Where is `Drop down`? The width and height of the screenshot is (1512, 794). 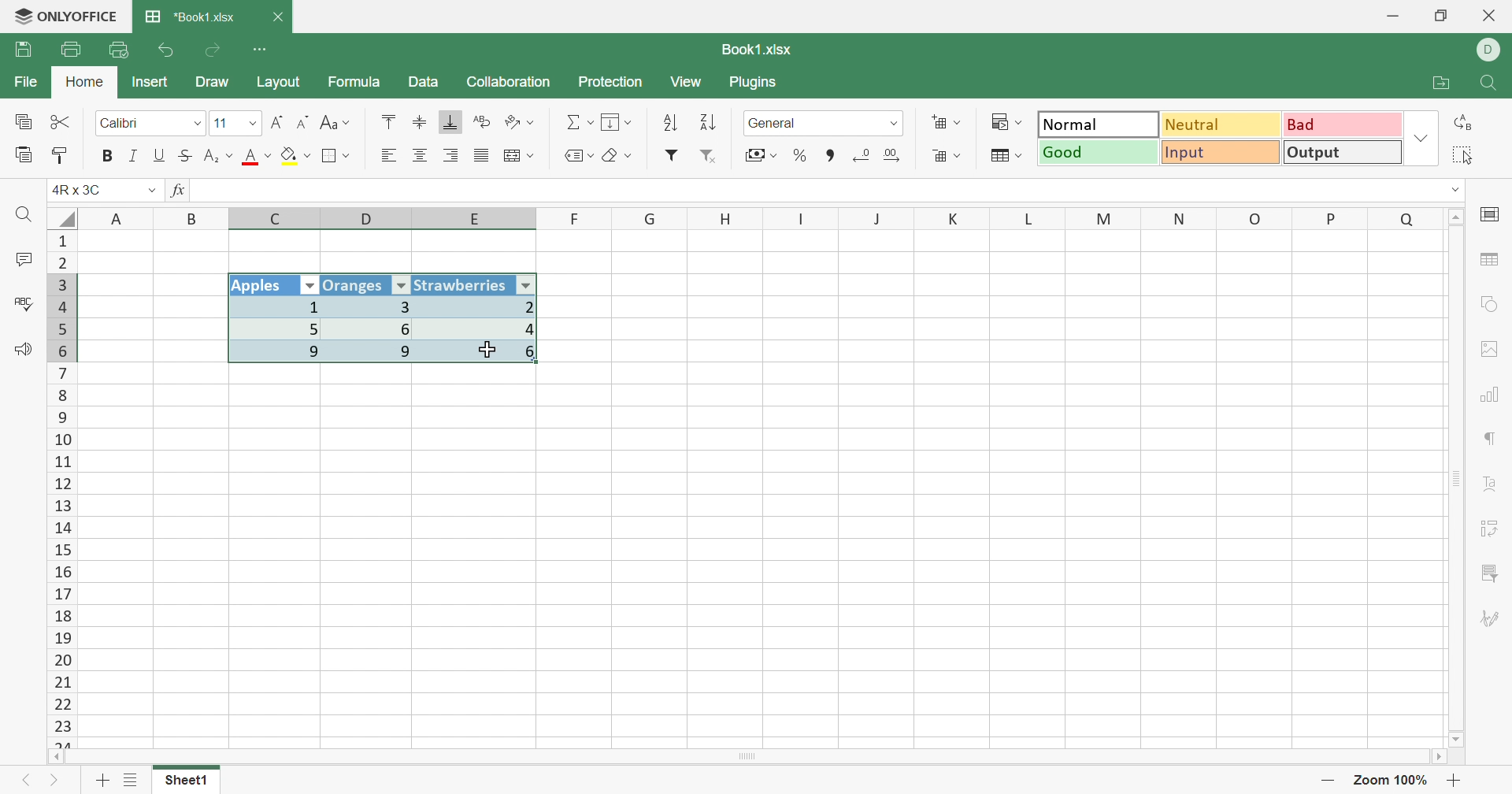
Drop down is located at coordinates (895, 123).